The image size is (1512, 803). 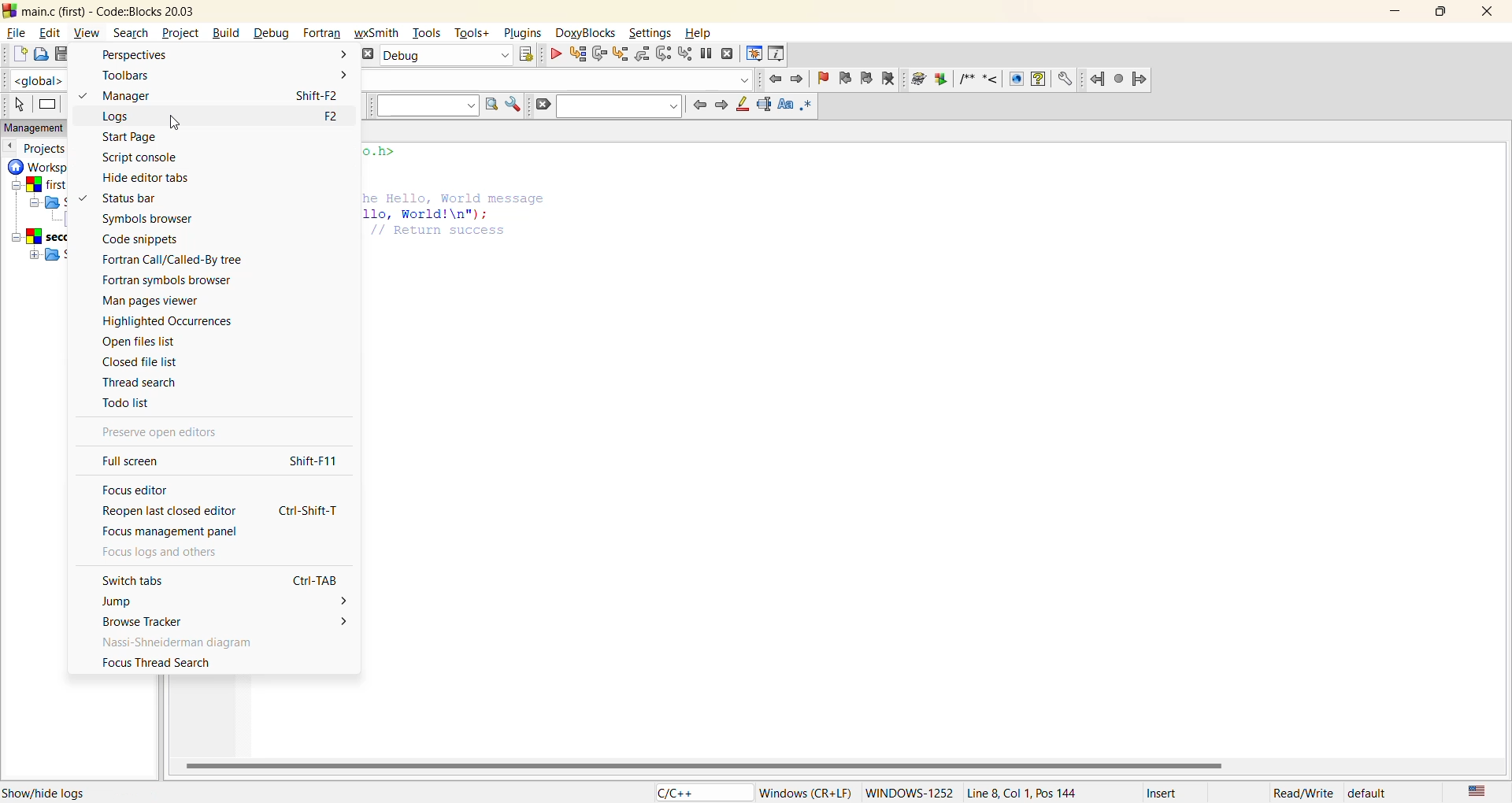 I want to click on match case, so click(x=784, y=105).